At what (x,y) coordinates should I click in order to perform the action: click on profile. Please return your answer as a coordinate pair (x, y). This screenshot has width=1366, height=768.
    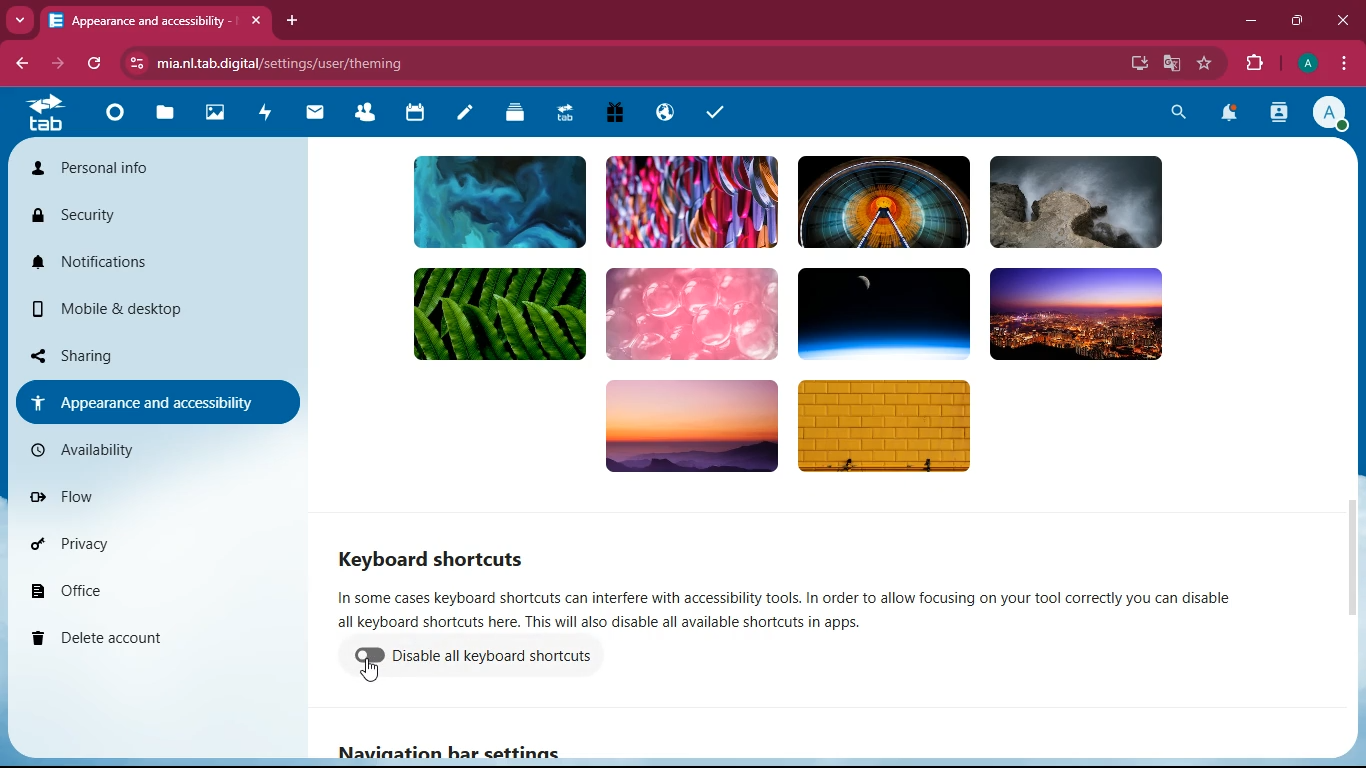
    Looking at the image, I should click on (1303, 63).